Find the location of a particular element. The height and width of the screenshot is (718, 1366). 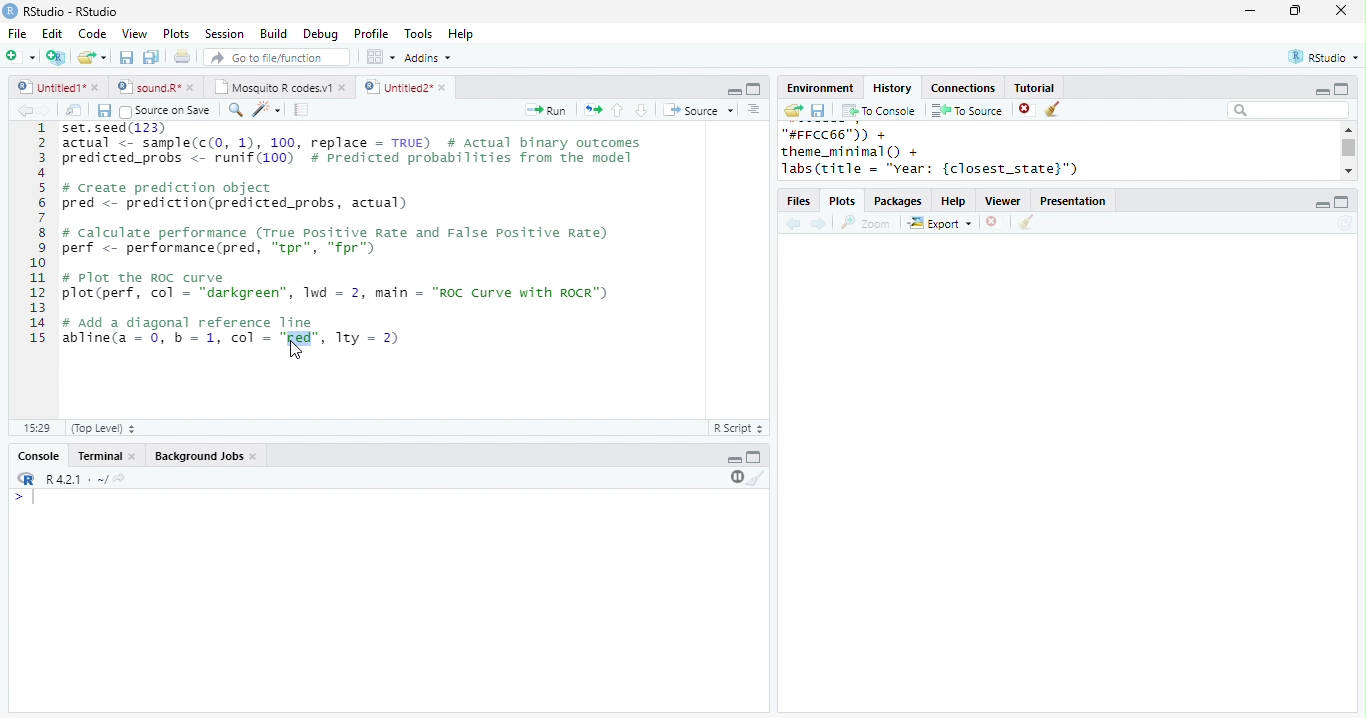

minimize is located at coordinates (734, 90).